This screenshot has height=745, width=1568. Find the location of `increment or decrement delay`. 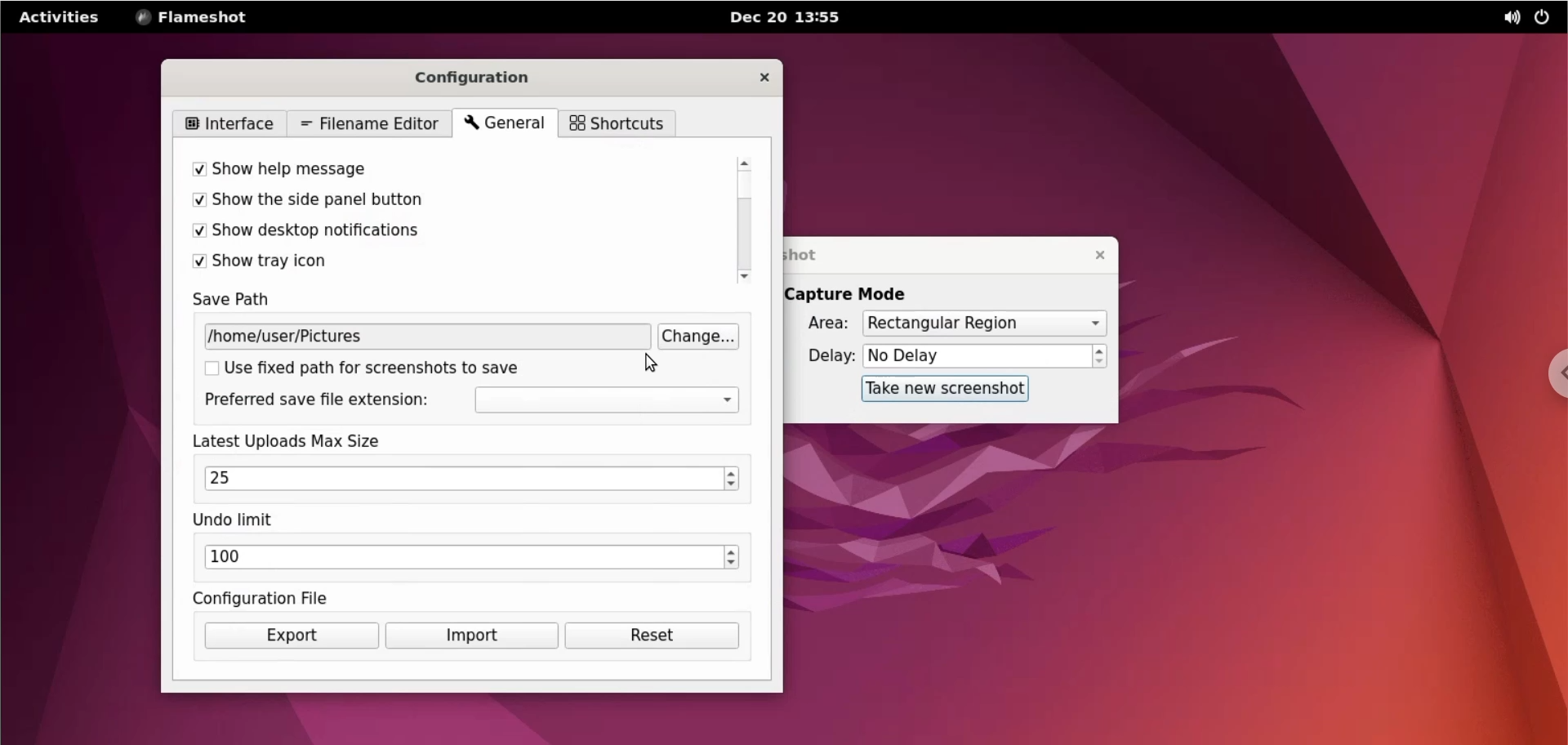

increment or decrement delay is located at coordinates (1102, 356).